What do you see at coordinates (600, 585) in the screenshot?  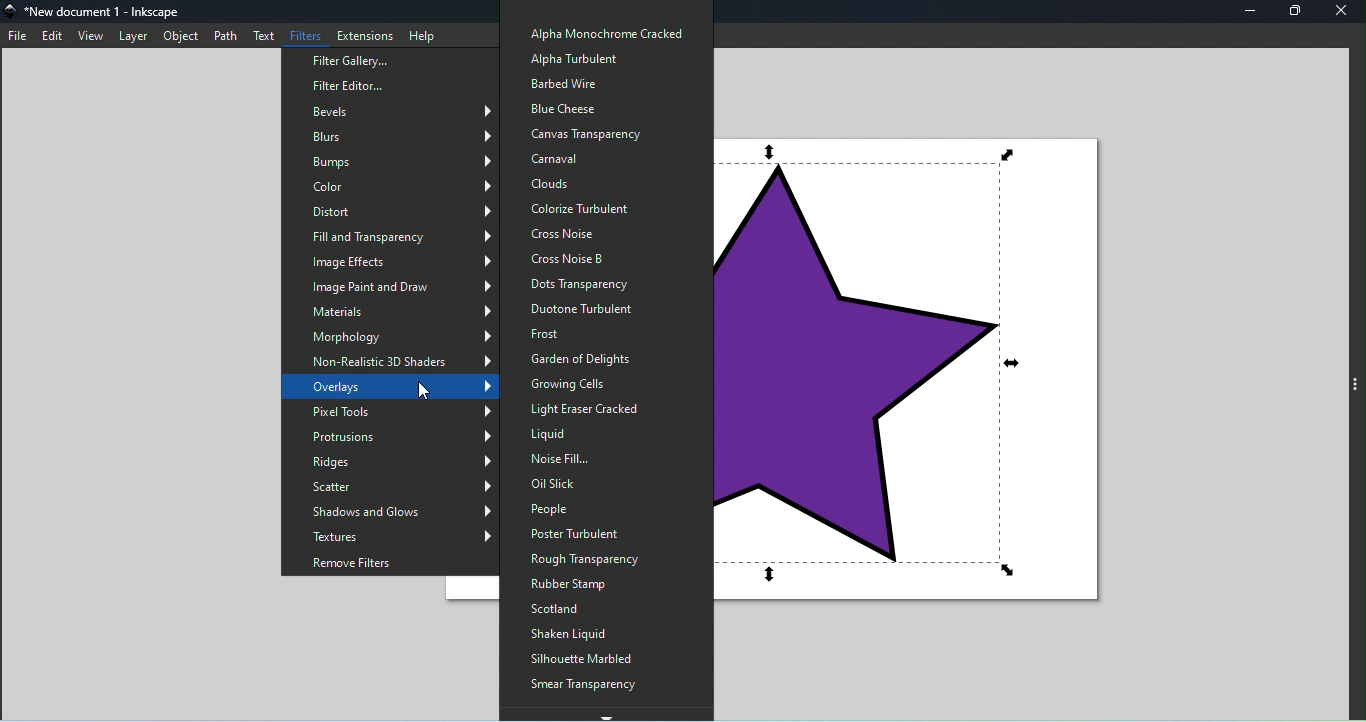 I see `Rubber stamp` at bounding box center [600, 585].